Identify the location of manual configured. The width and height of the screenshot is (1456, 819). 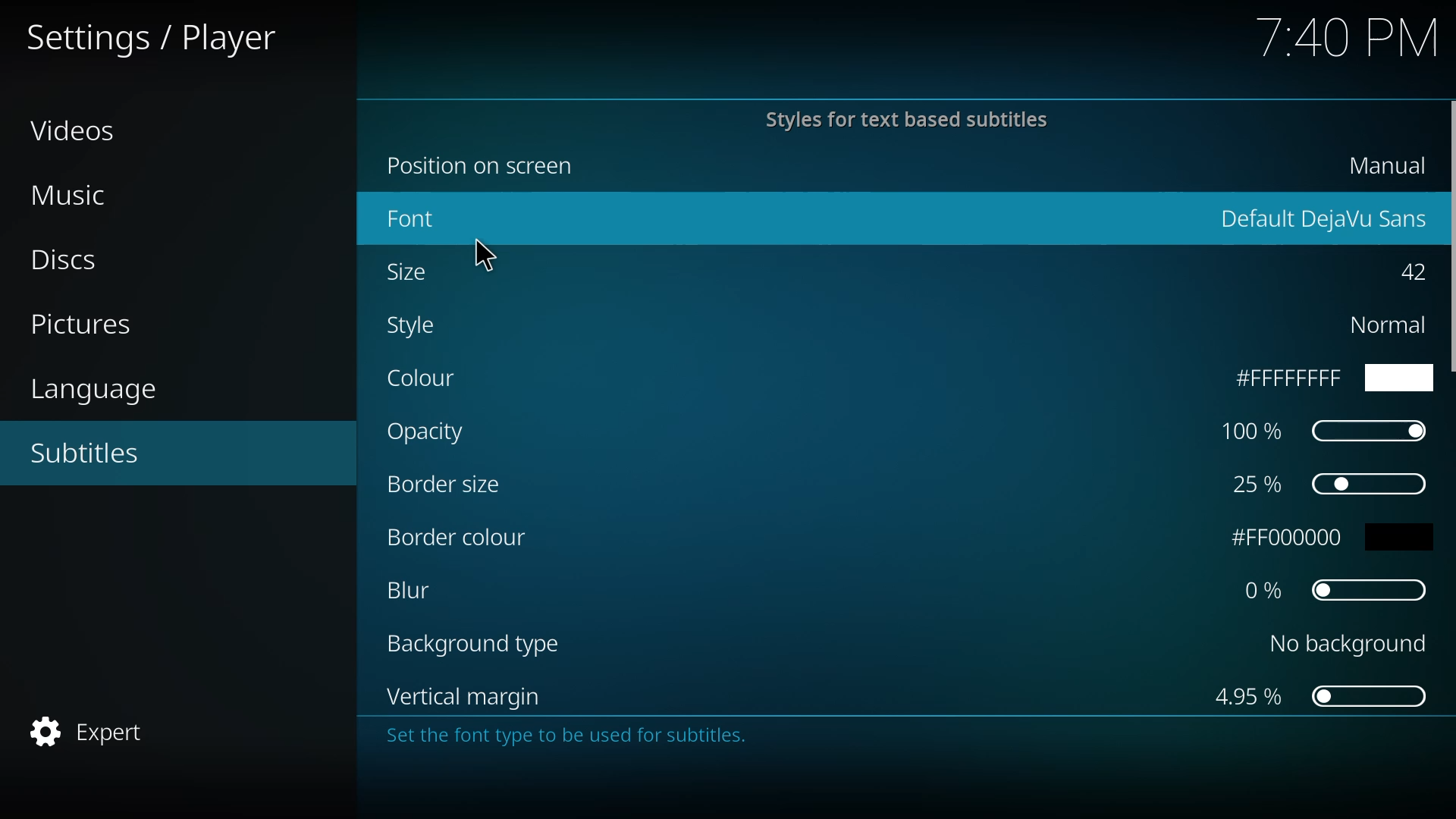
(1376, 166).